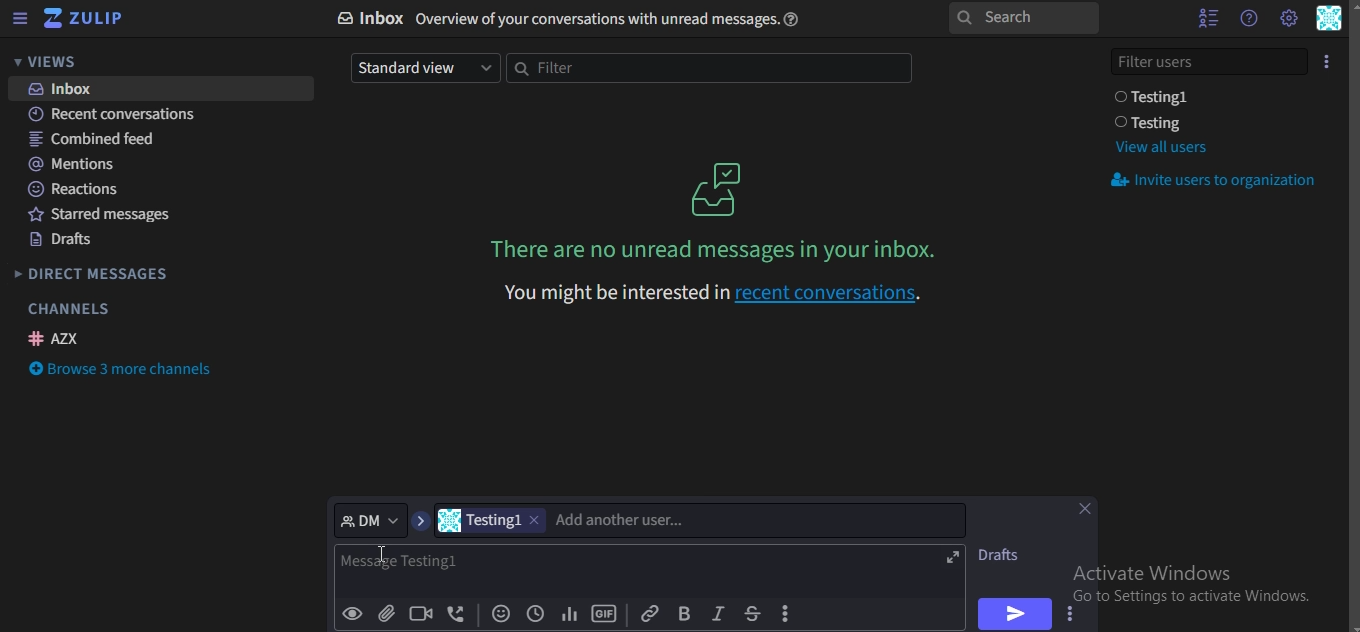 The width and height of the screenshot is (1360, 632). Describe the element at coordinates (57, 338) in the screenshot. I see `AZX` at that location.